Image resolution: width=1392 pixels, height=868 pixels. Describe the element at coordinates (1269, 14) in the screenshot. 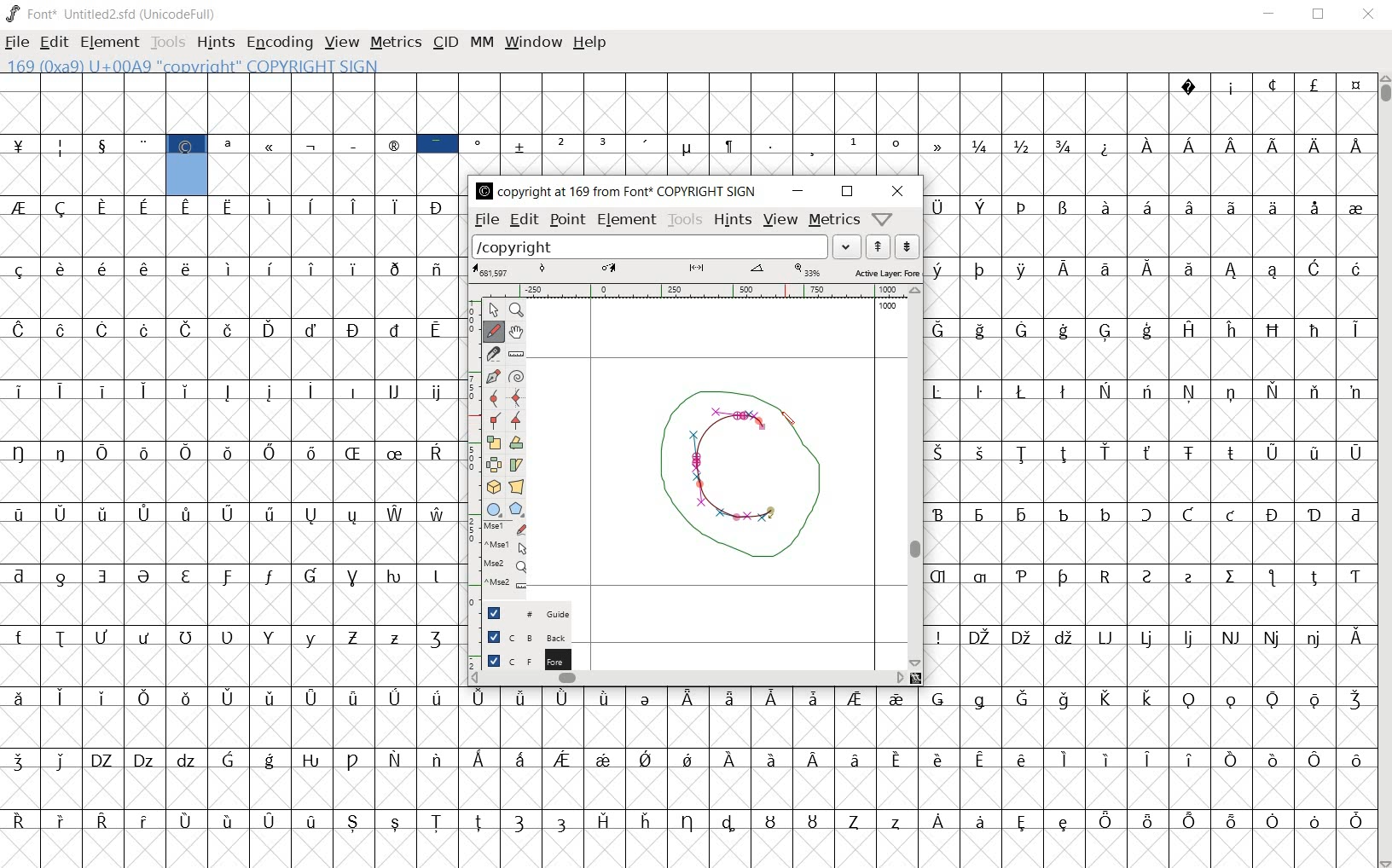

I see `minimize` at that location.